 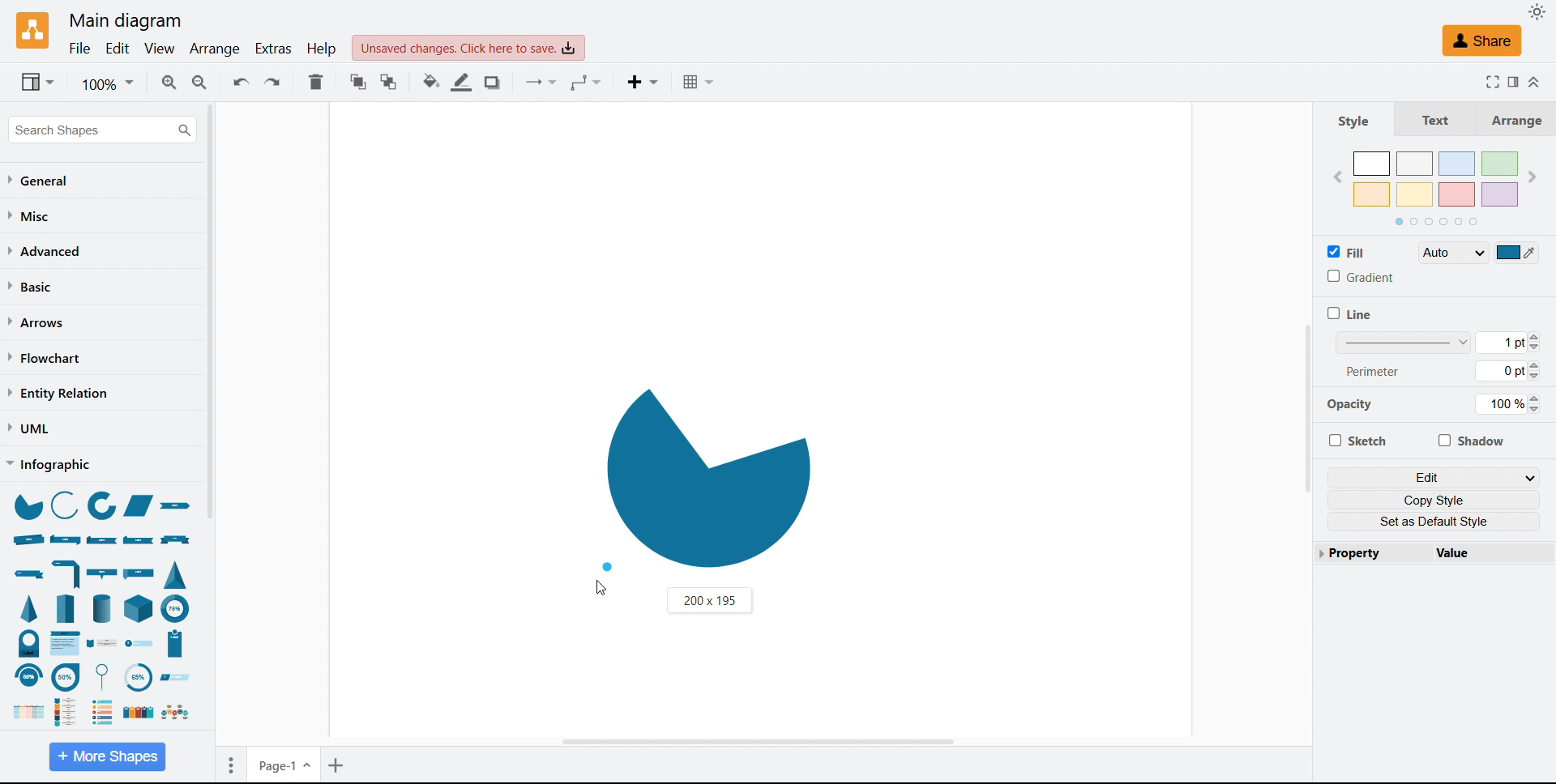 I want to click on Arrange , so click(x=1511, y=119).